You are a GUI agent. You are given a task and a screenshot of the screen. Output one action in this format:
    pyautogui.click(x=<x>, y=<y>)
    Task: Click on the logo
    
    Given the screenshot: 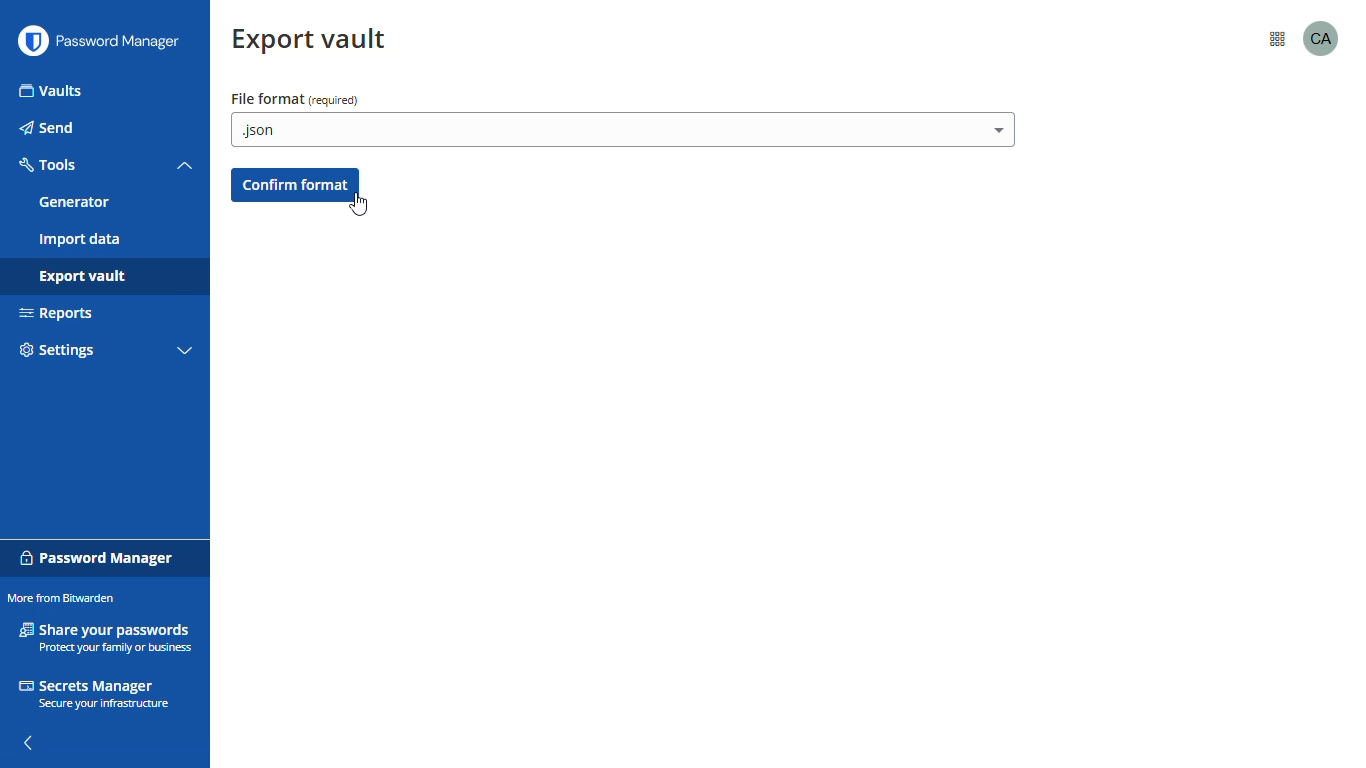 What is the action you would take?
    pyautogui.click(x=32, y=41)
    